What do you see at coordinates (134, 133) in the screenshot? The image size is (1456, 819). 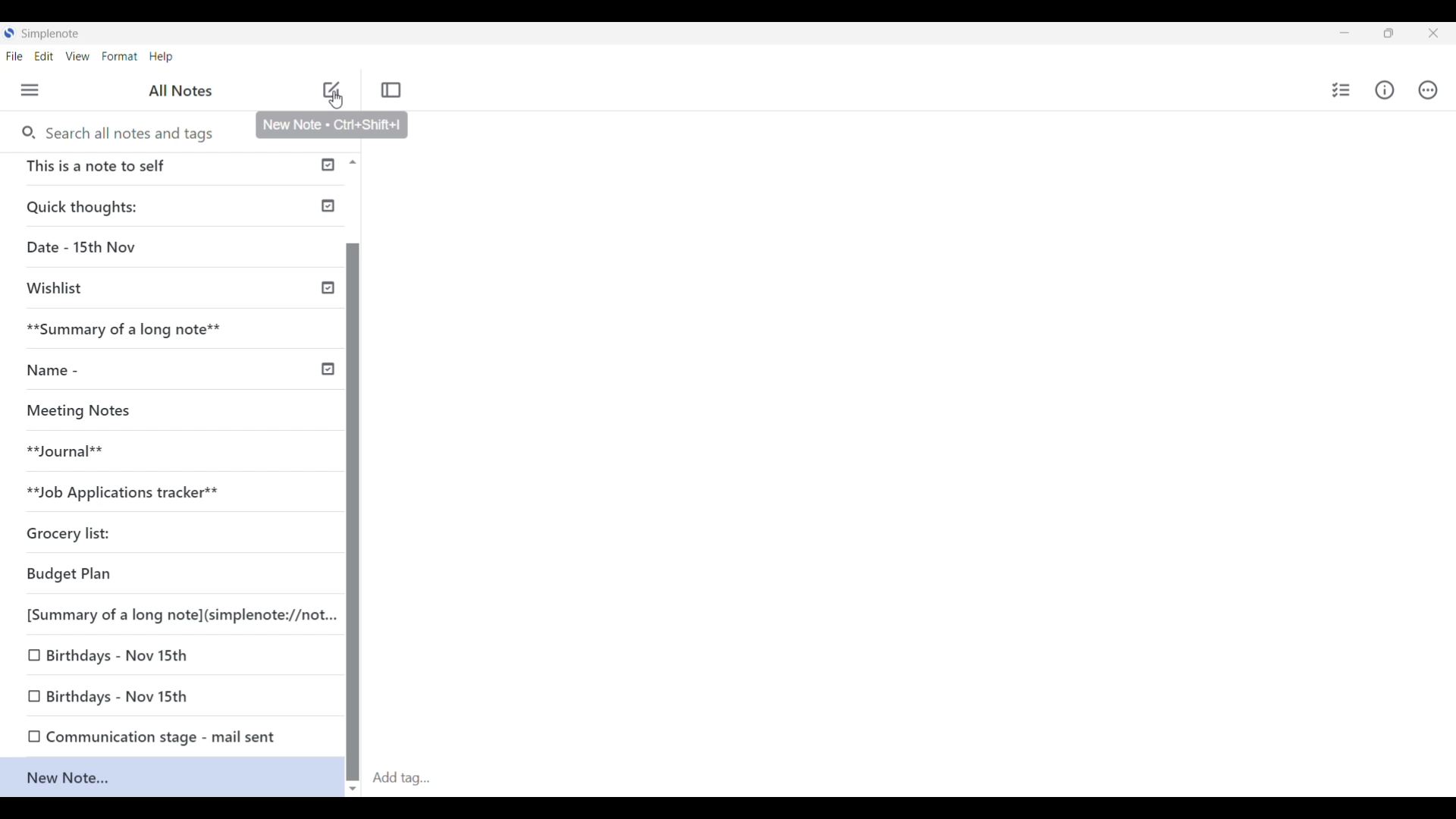 I see `Search all notes and tags` at bounding box center [134, 133].